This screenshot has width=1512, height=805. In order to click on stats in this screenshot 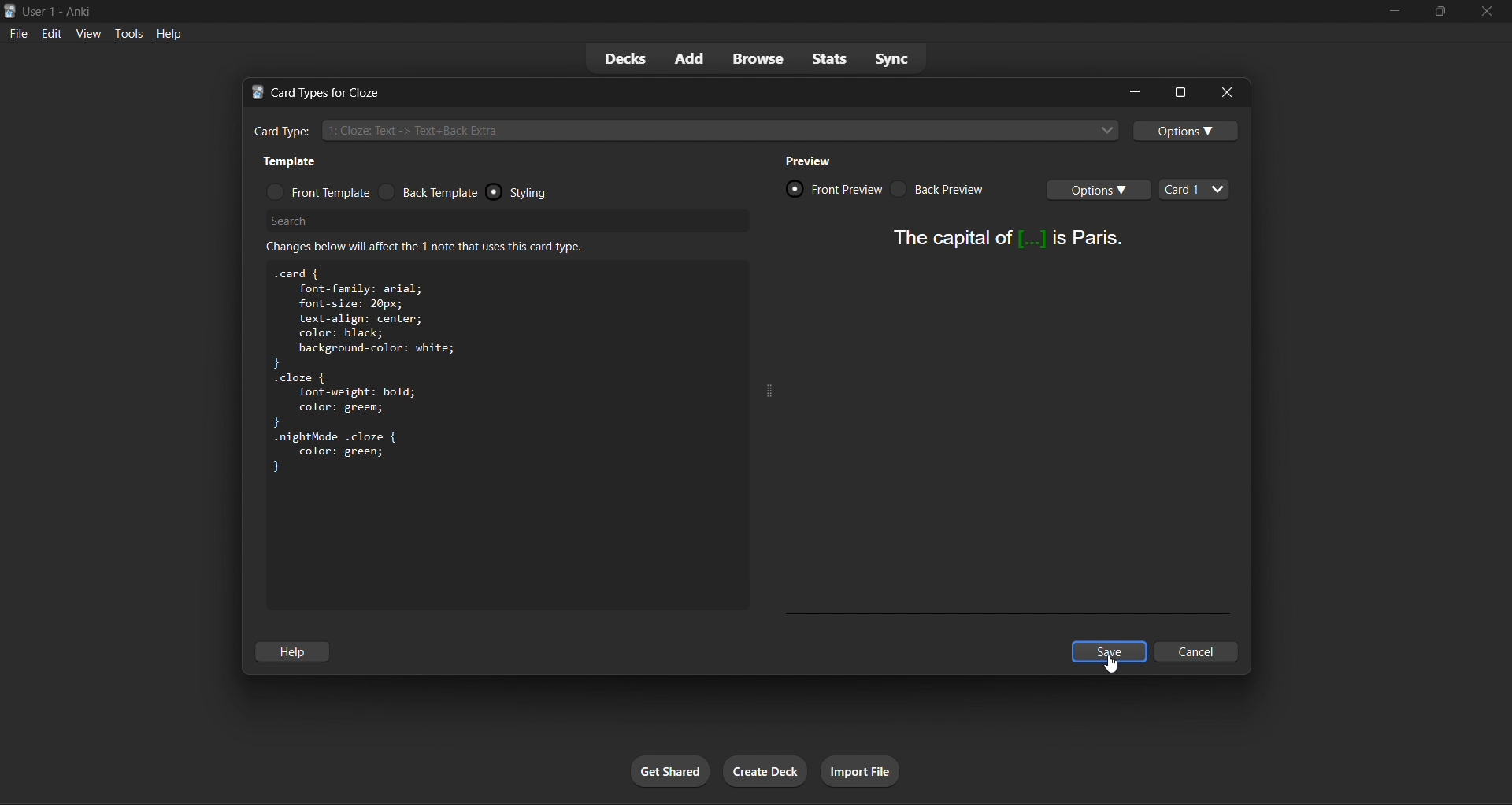, I will do `click(828, 60)`.